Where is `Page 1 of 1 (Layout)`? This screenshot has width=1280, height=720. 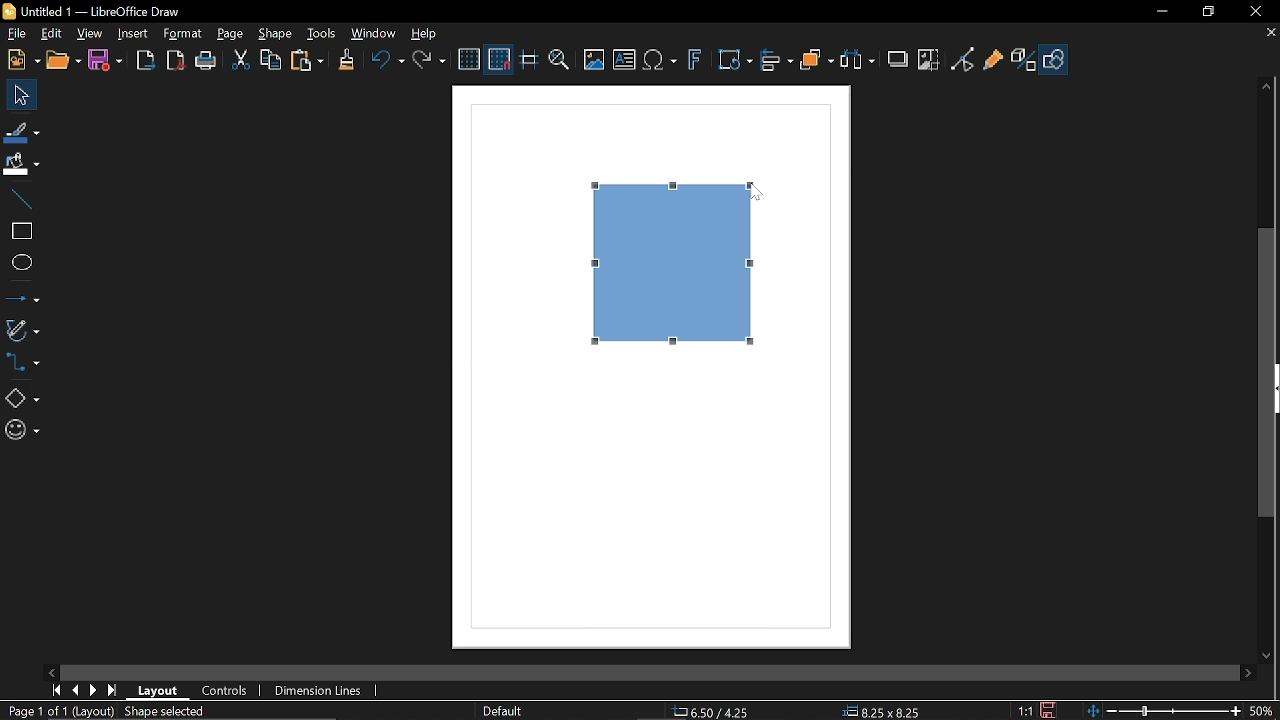 Page 1 of 1 (Layout) is located at coordinates (58, 712).